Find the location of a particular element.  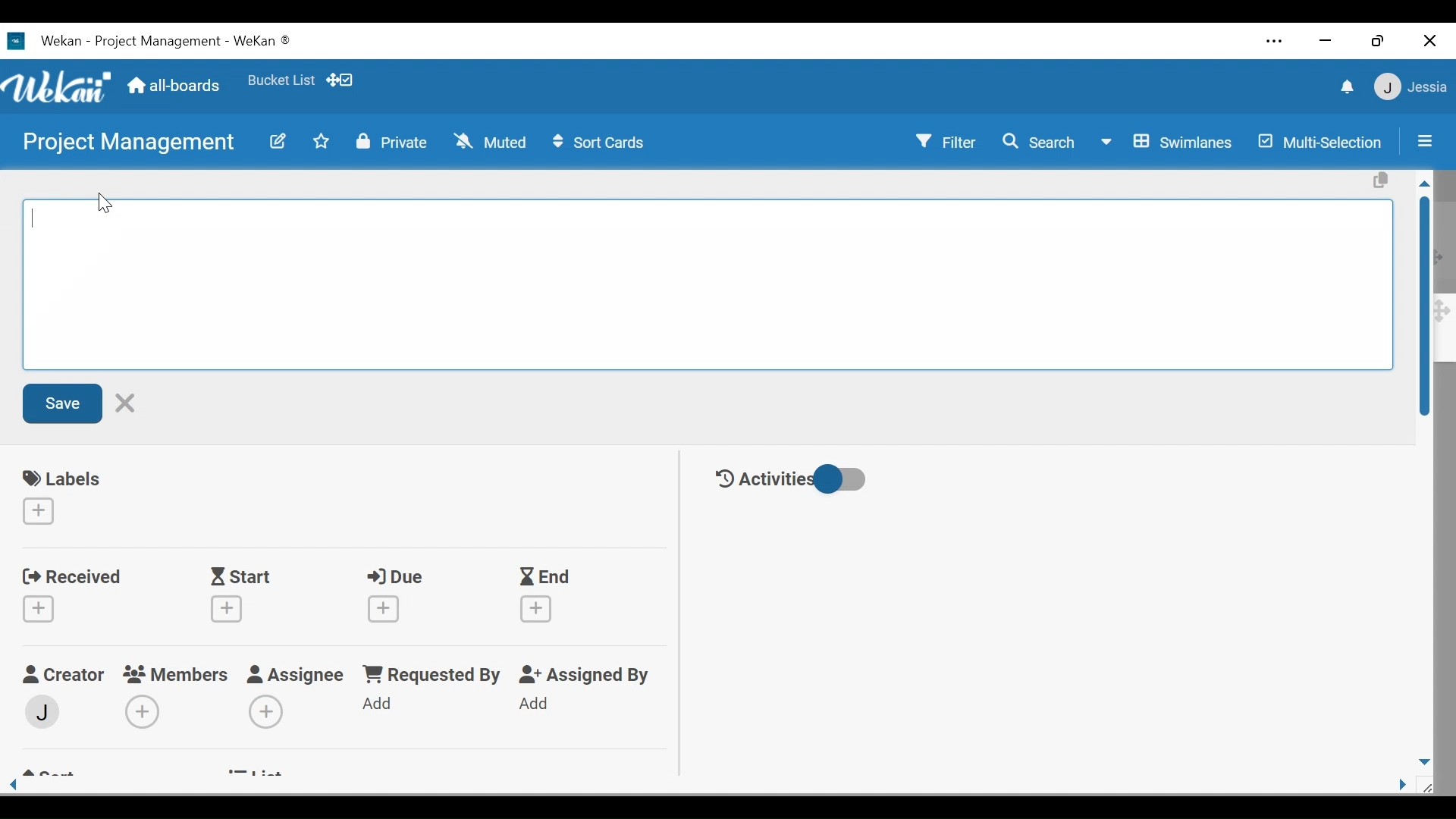

Vertical Scroll bar is located at coordinates (1425, 325).